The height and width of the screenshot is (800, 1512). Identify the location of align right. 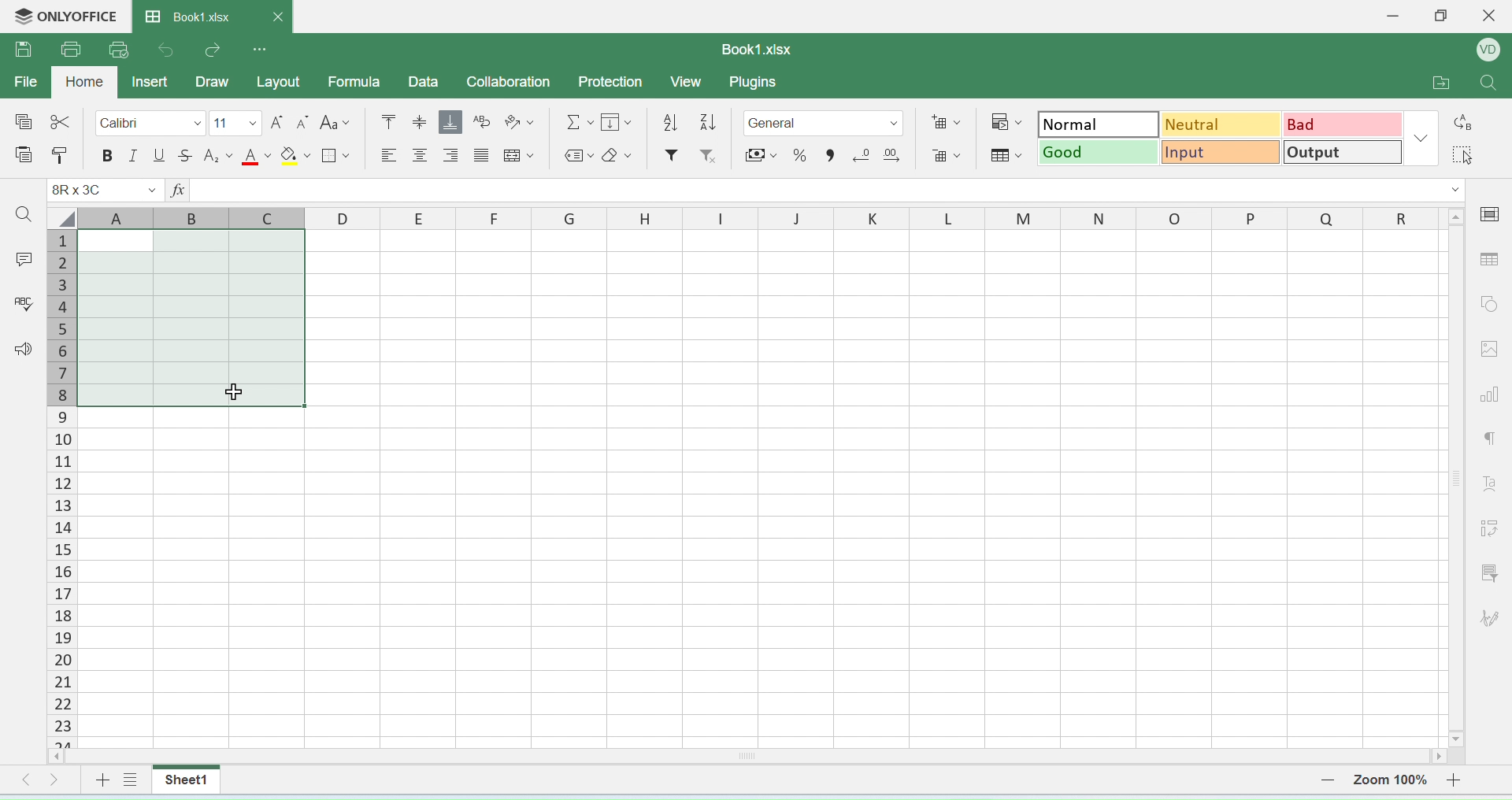
(454, 154).